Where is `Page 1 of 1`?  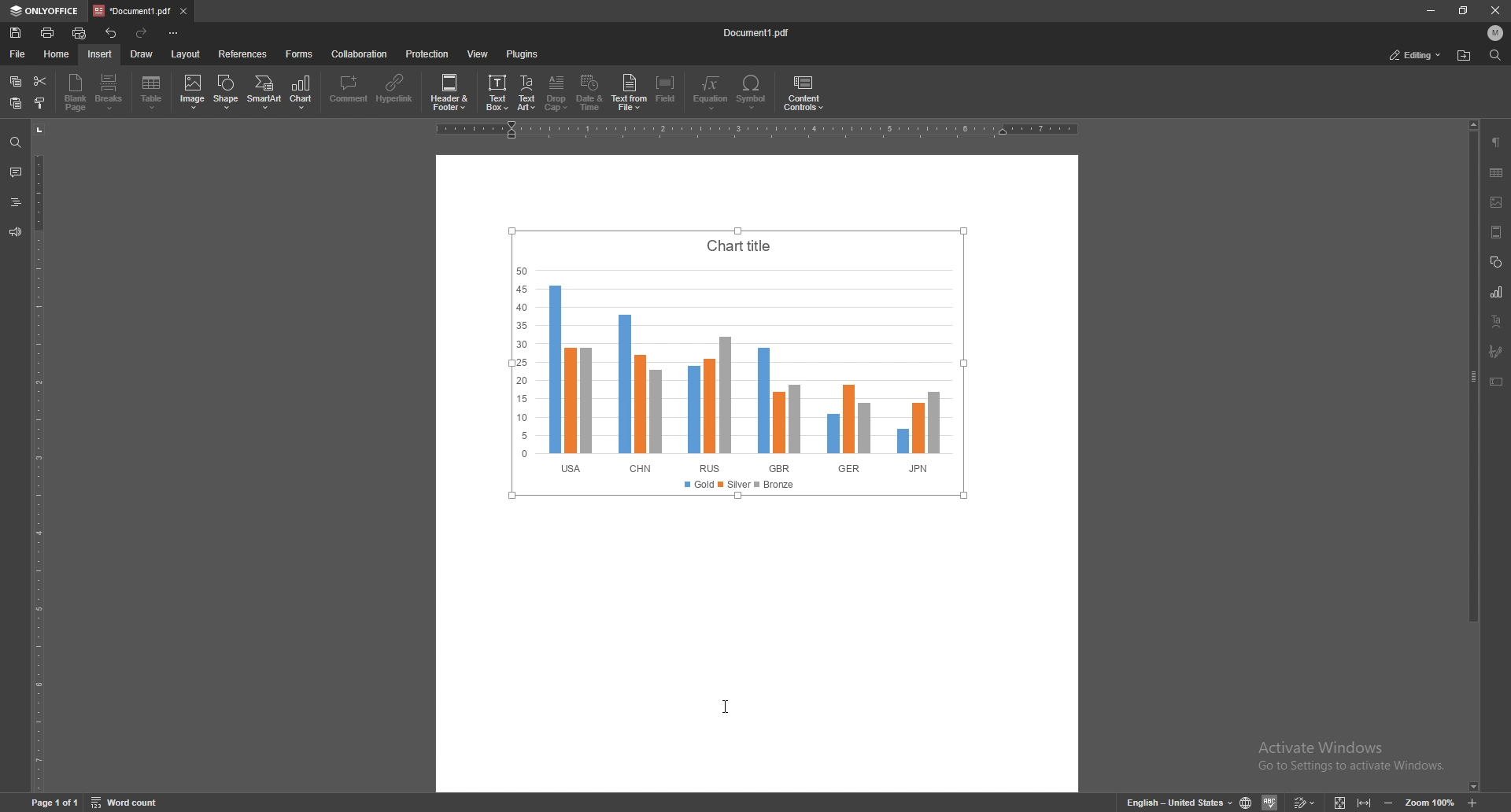 Page 1 of 1 is located at coordinates (57, 801).